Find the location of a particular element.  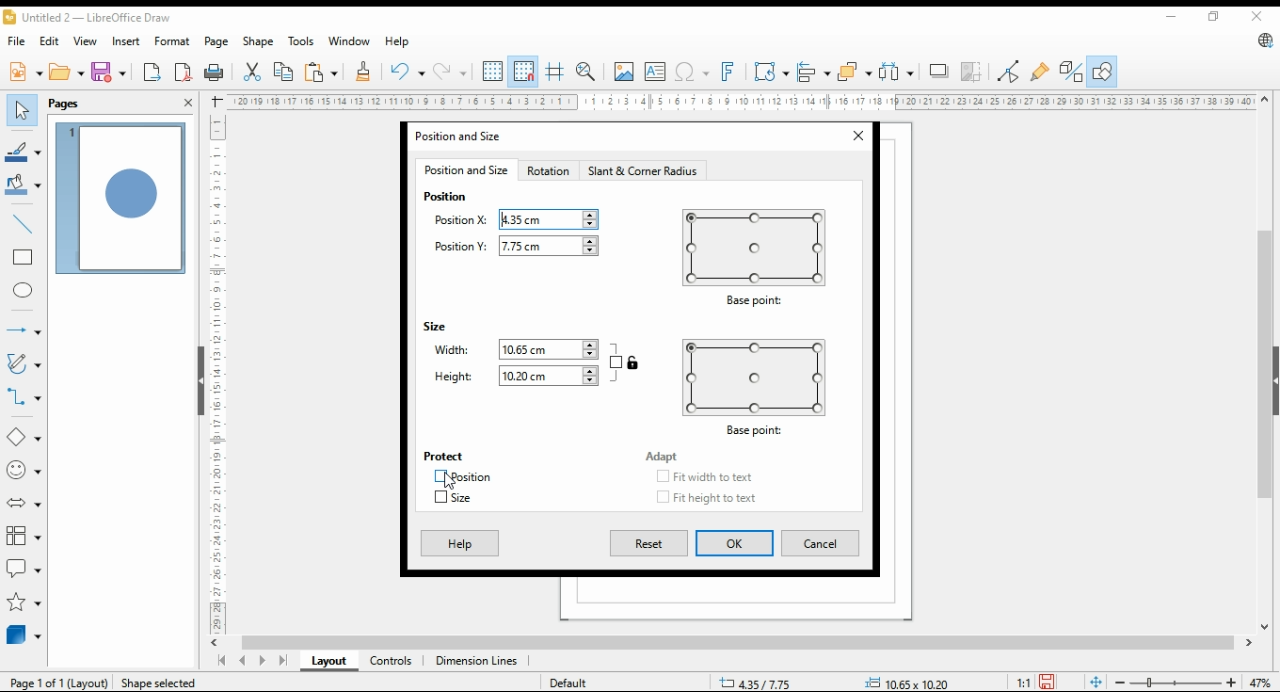

insert fontwork text is located at coordinates (731, 72).